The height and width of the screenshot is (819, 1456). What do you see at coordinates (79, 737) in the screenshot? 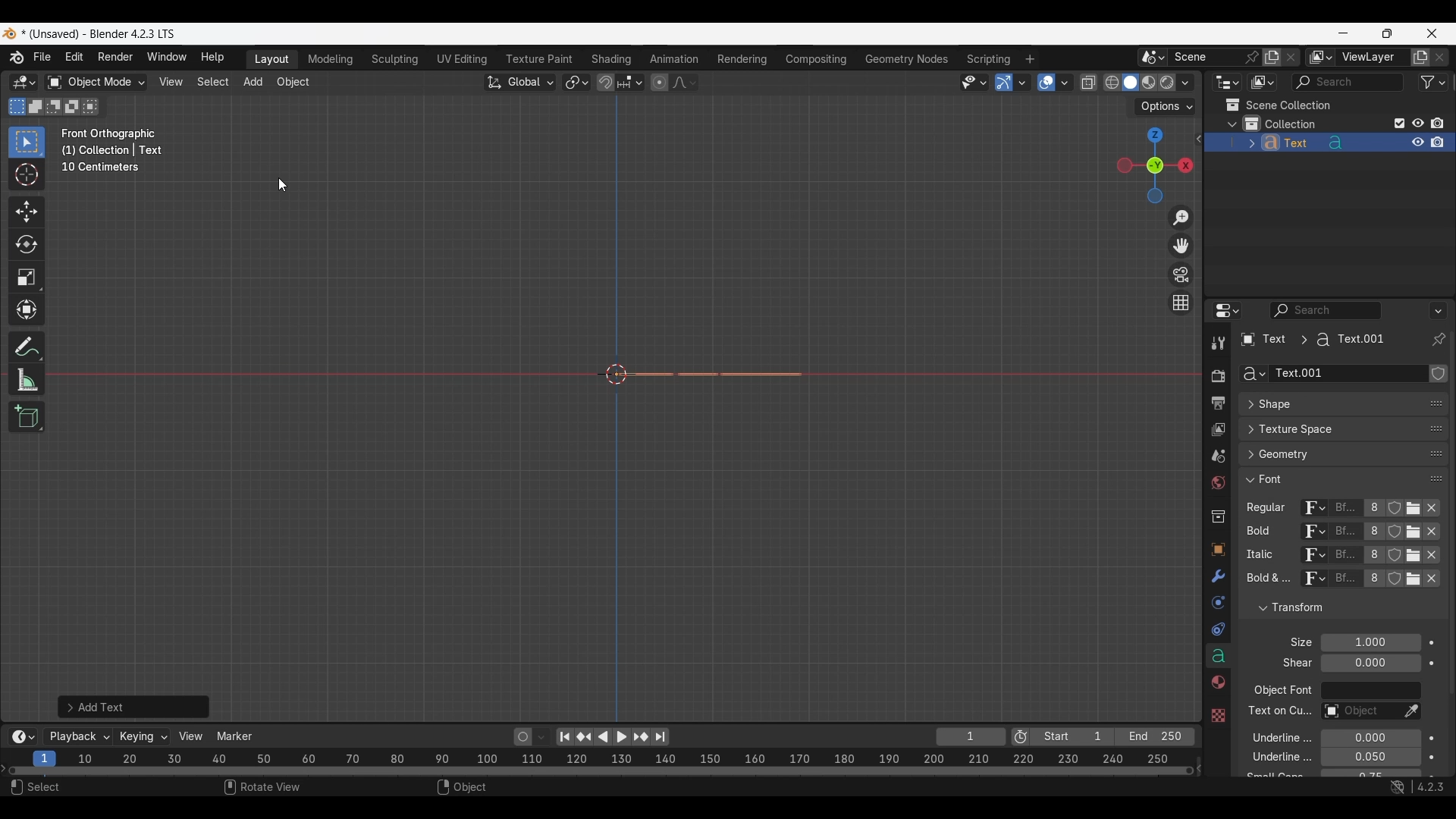
I see `Playback` at bounding box center [79, 737].